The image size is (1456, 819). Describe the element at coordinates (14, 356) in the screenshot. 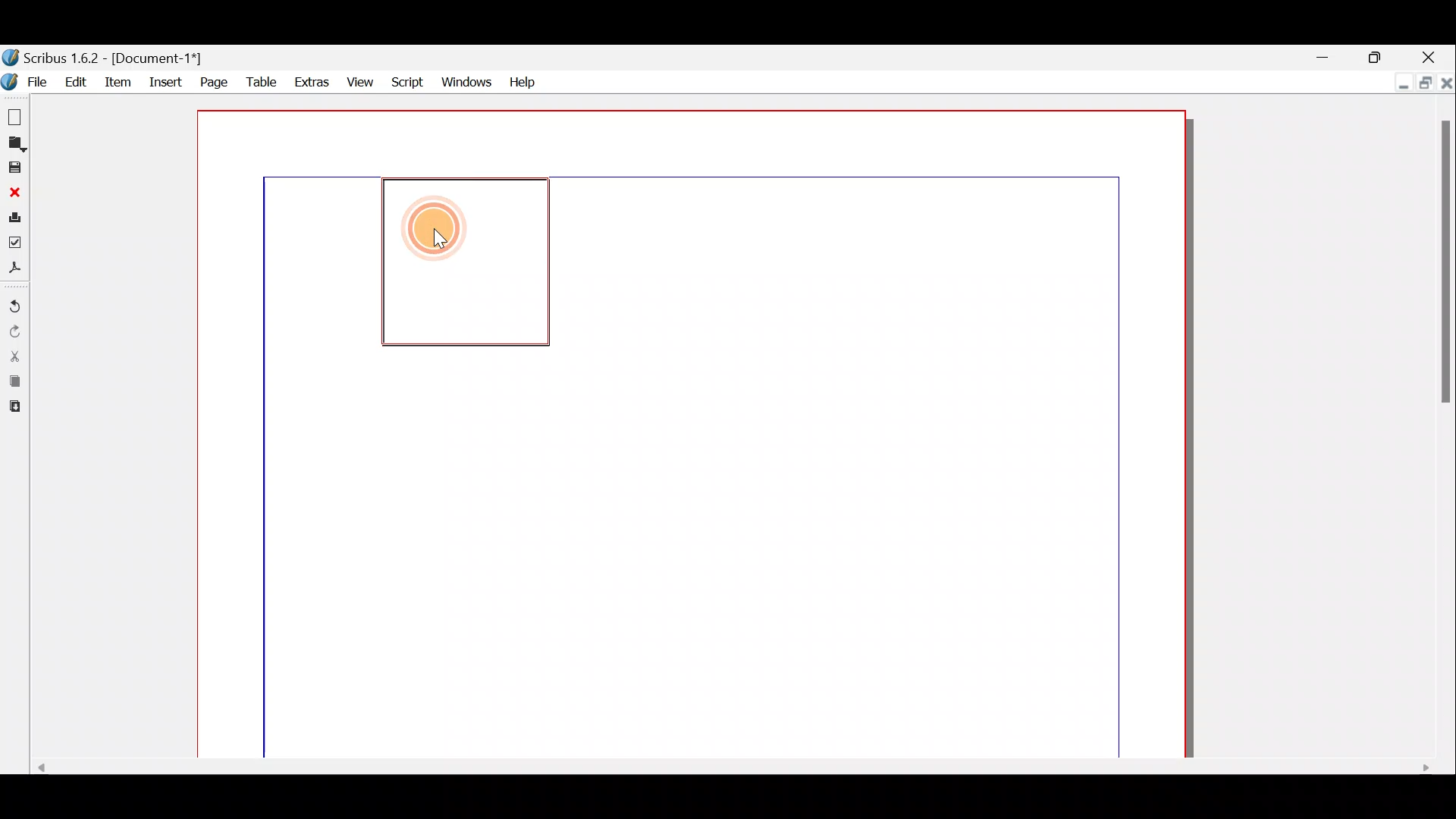

I see `Cut` at that location.